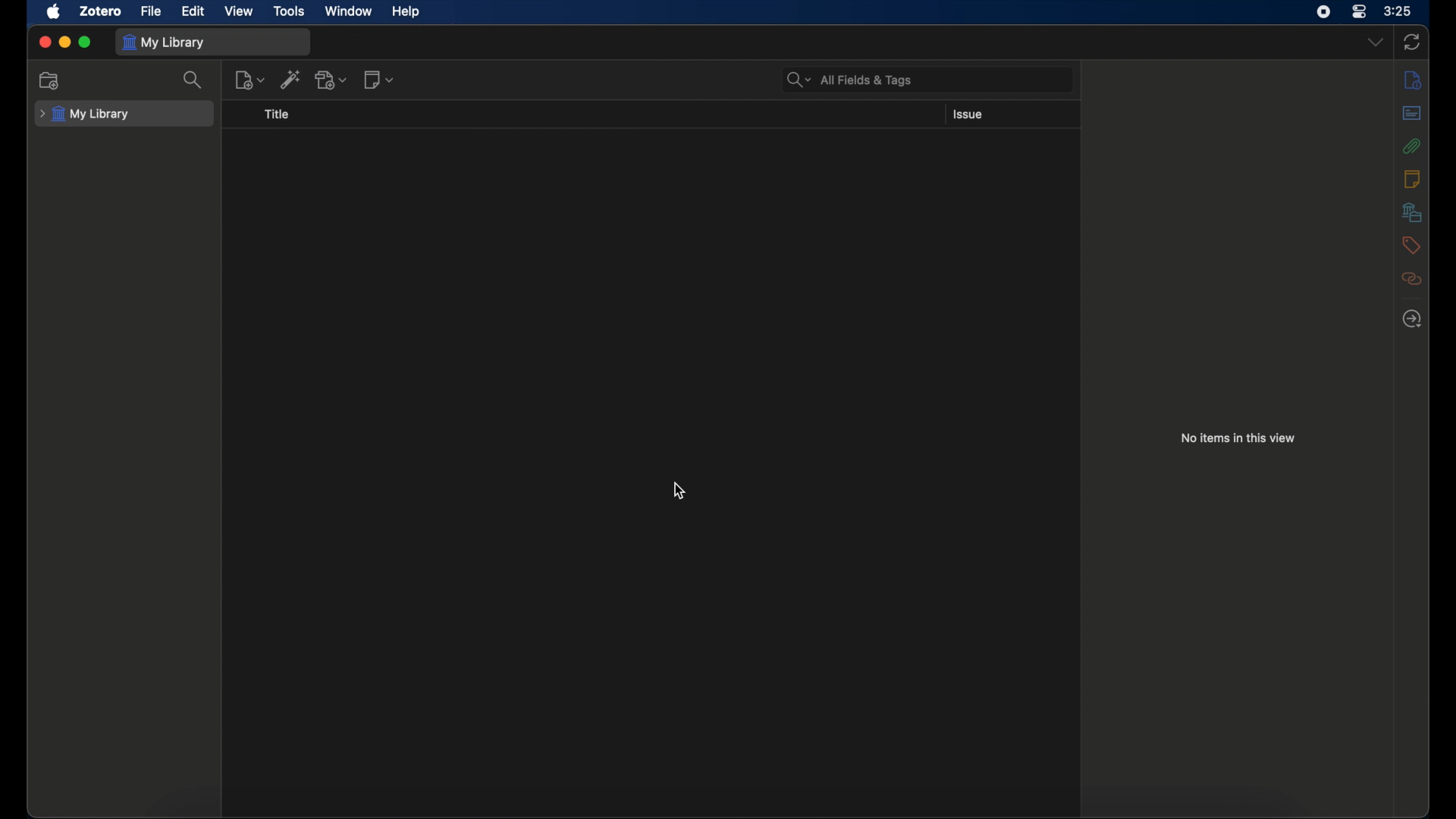 The height and width of the screenshot is (819, 1456). Describe the element at coordinates (1360, 12) in the screenshot. I see `control center` at that location.